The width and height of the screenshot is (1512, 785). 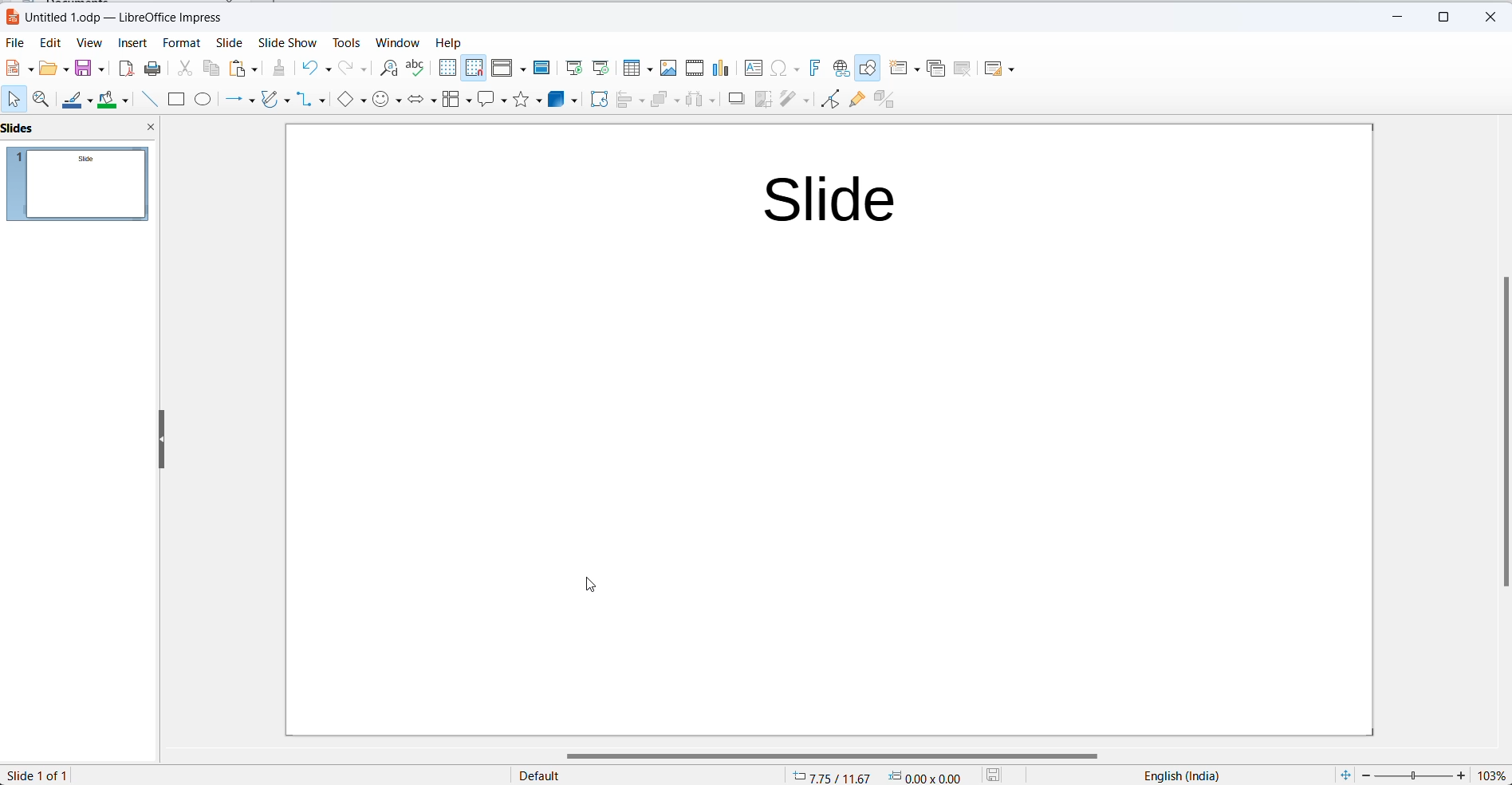 What do you see at coordinates (349, 101) in the screenshot?
I see `basic shapes` at bounding box center [349, 101].